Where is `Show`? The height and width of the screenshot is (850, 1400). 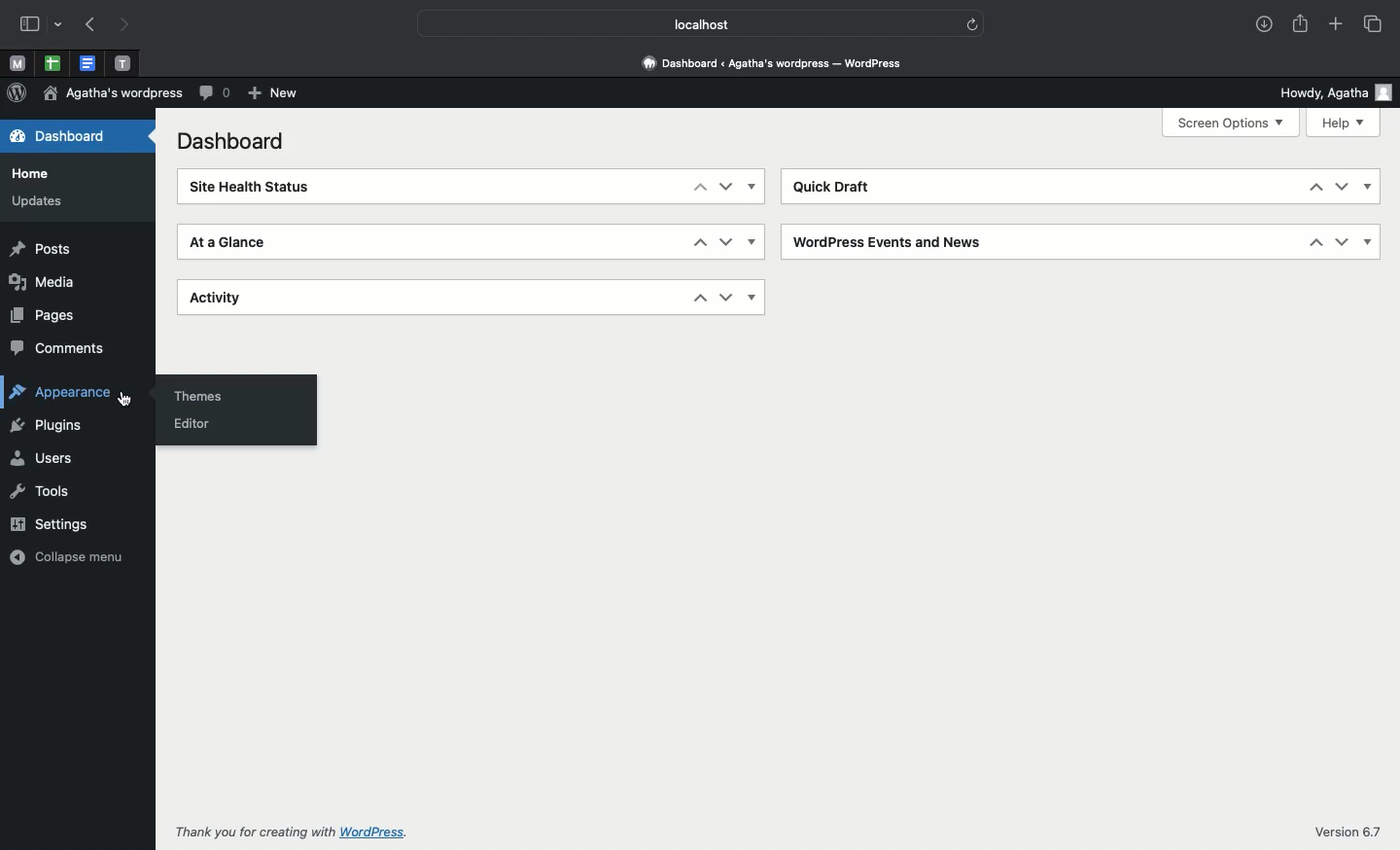
Show is located at coordinates (752, 297).